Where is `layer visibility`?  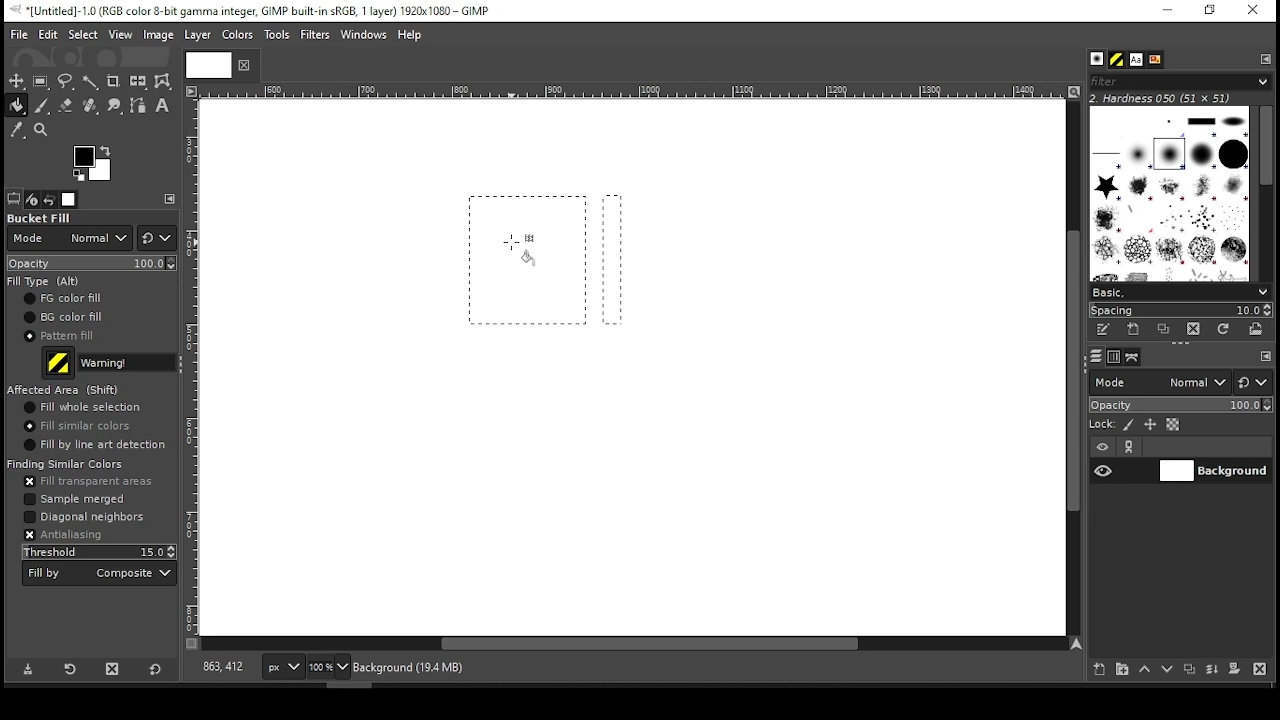 layer visibility is located at coordinates (1103, 447).